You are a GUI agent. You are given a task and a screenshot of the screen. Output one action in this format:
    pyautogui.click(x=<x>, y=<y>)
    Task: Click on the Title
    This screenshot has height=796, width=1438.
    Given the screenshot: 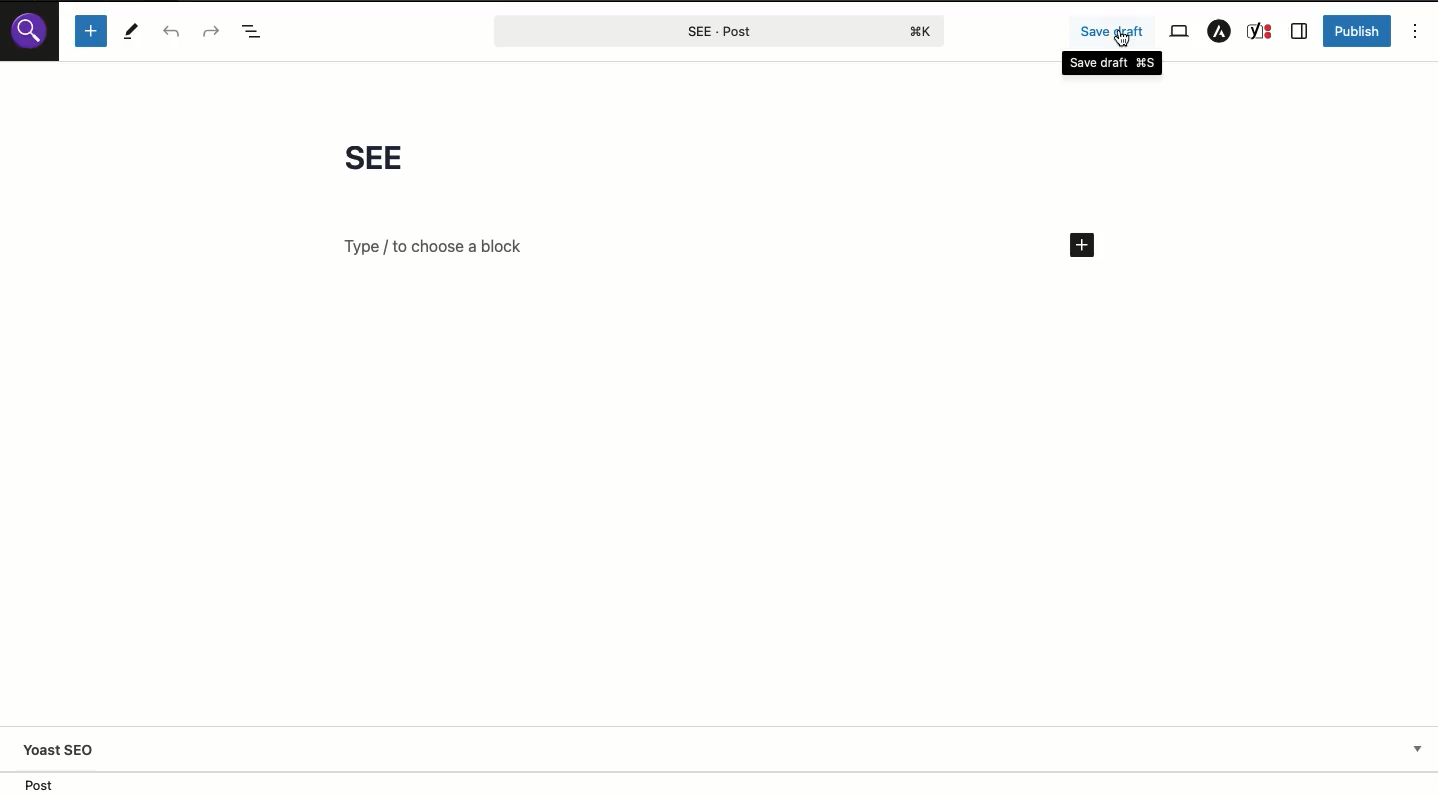 What is the action you would take?
    pyautogui.click(x=395, y=161)
    